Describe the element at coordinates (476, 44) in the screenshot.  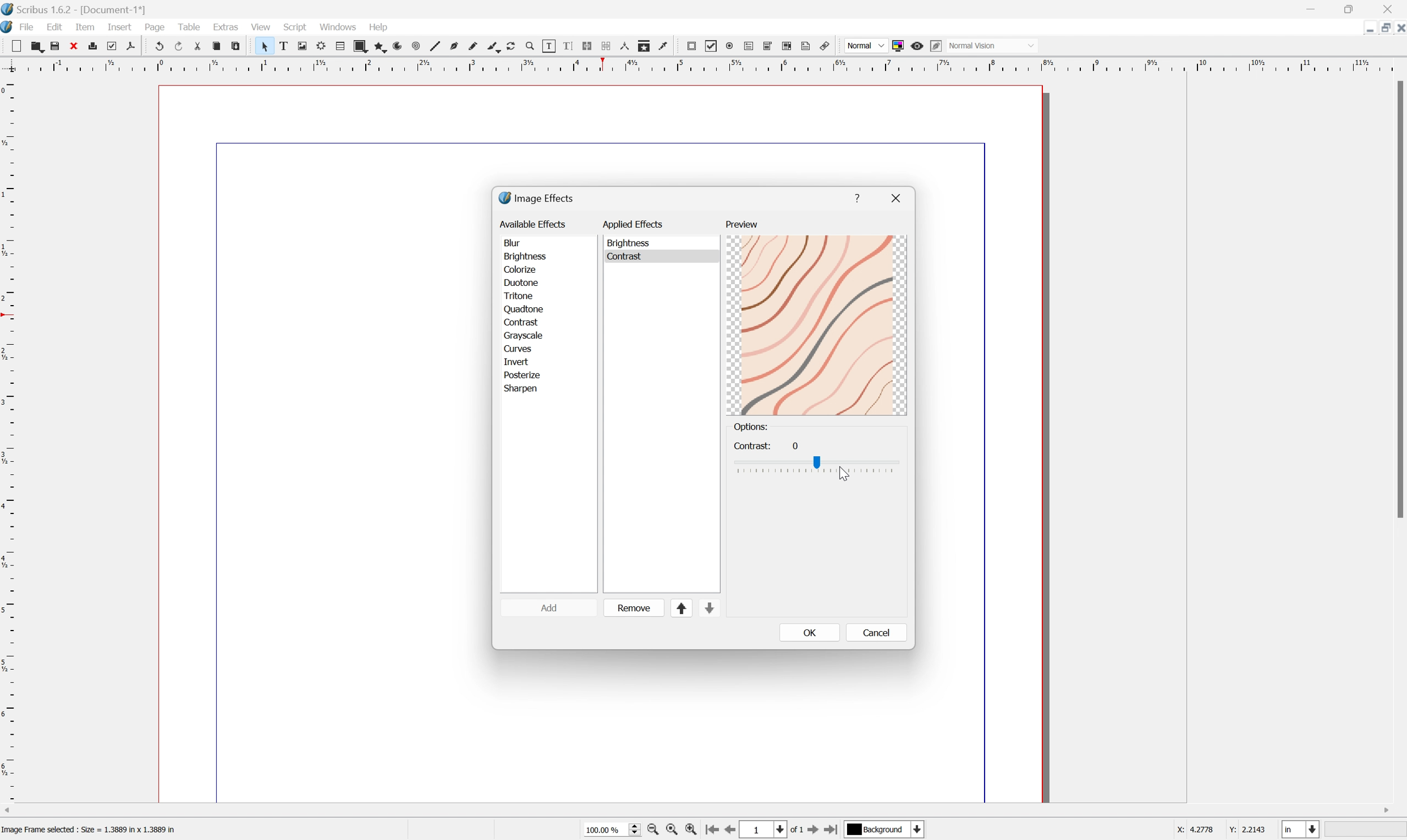
I see `Freehand line` at that location.